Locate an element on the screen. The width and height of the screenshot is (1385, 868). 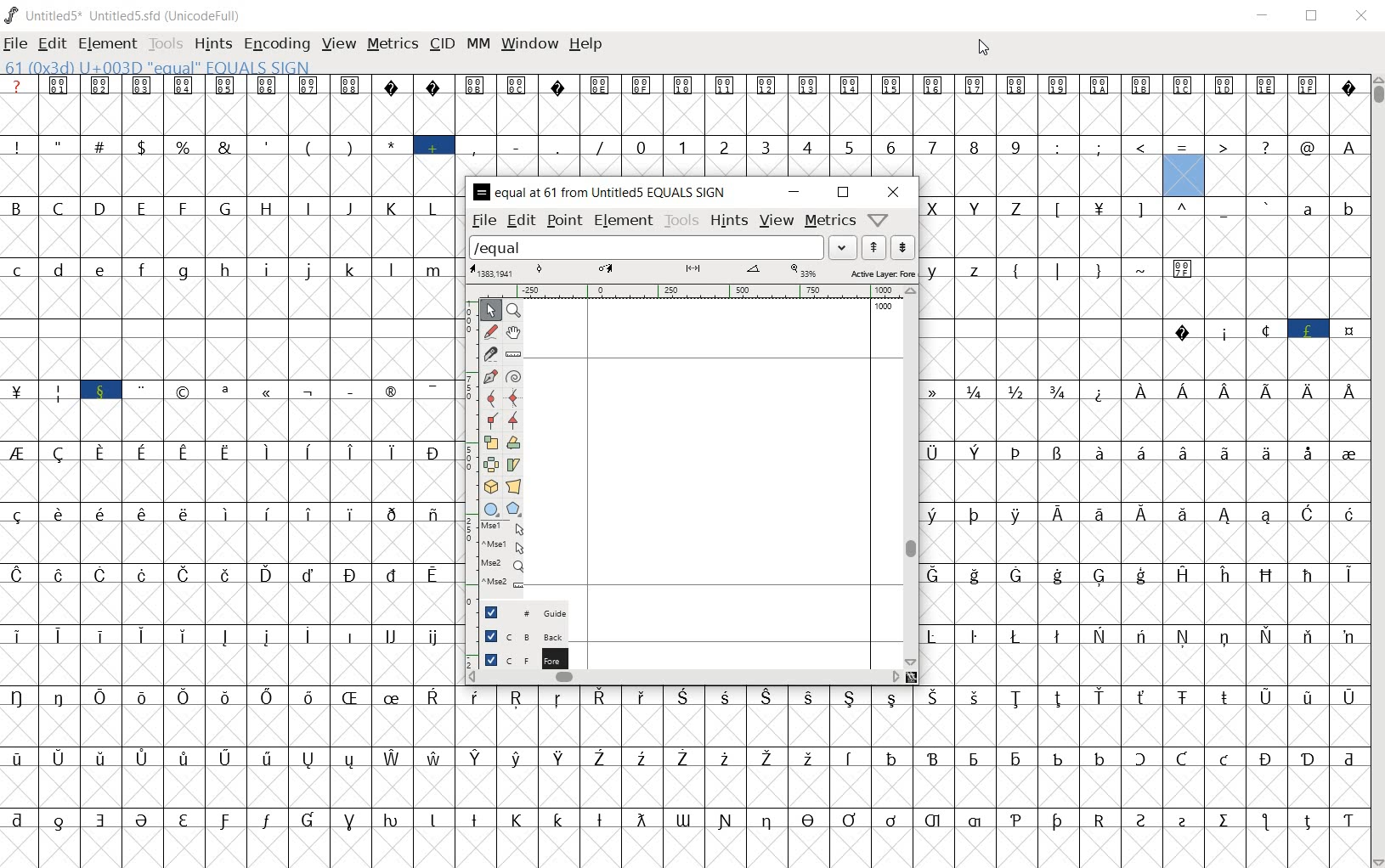
add a point, then drag out its control points is located at coordinates (489, 377).